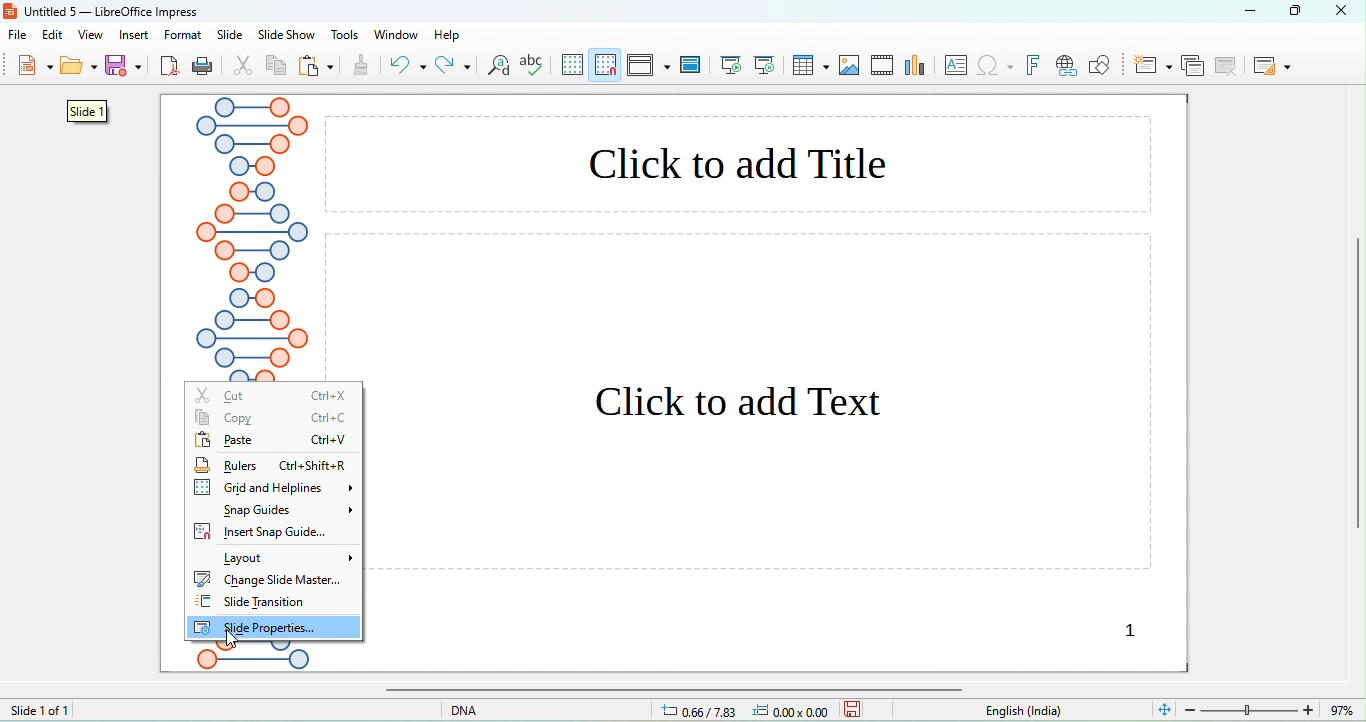 Image resolution: width=1366 pixels, height=722 pixels. I want to click on edit, so click(55, 35).